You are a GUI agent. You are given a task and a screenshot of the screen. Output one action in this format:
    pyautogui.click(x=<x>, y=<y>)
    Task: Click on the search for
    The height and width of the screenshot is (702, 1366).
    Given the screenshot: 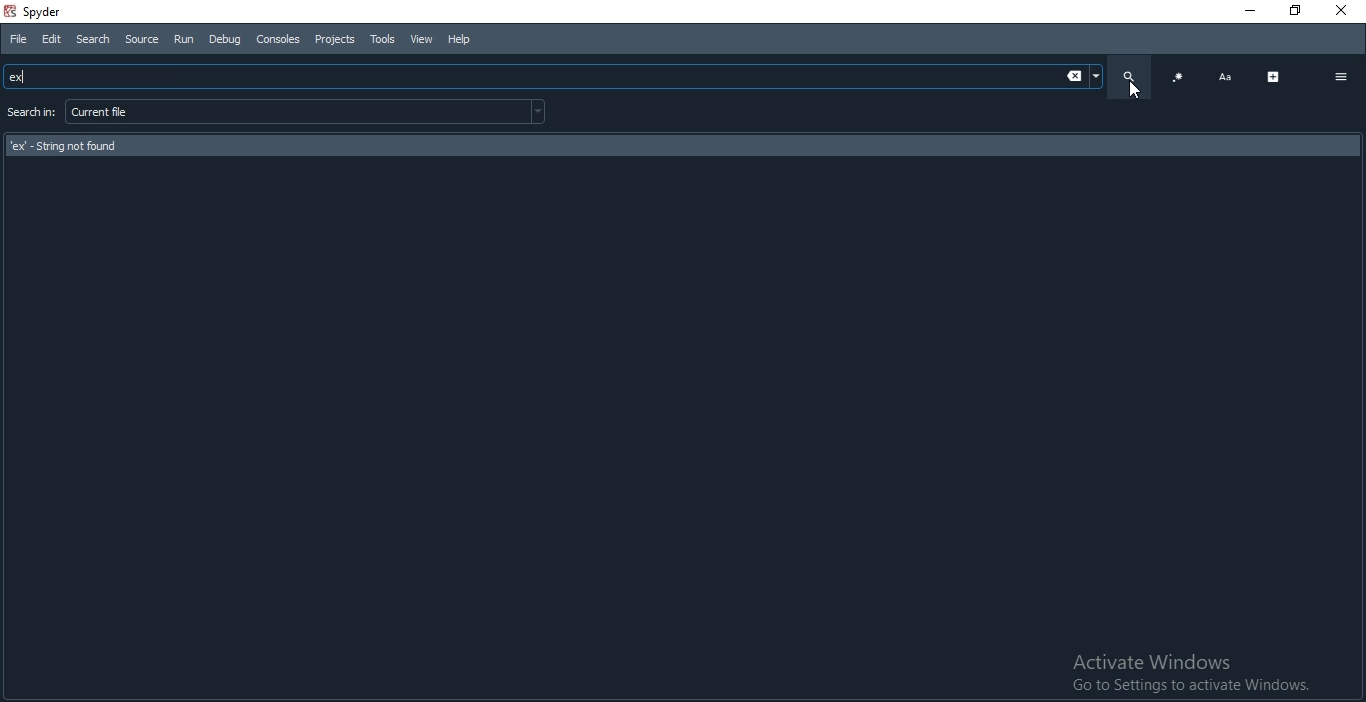 What is the action you would take?
    pyautogui.click(x=30, y=114)
    